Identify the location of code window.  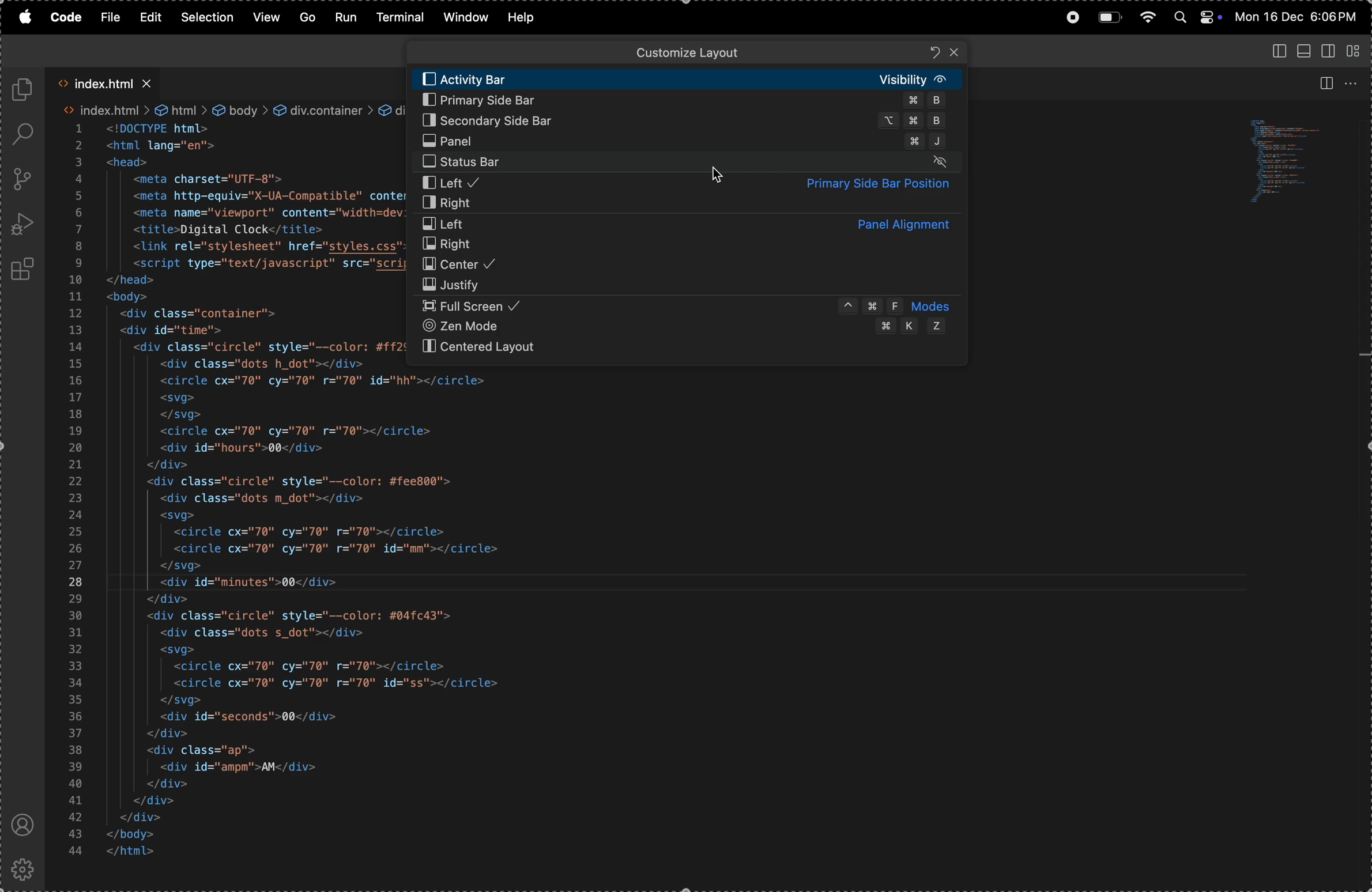
(1299, 163).